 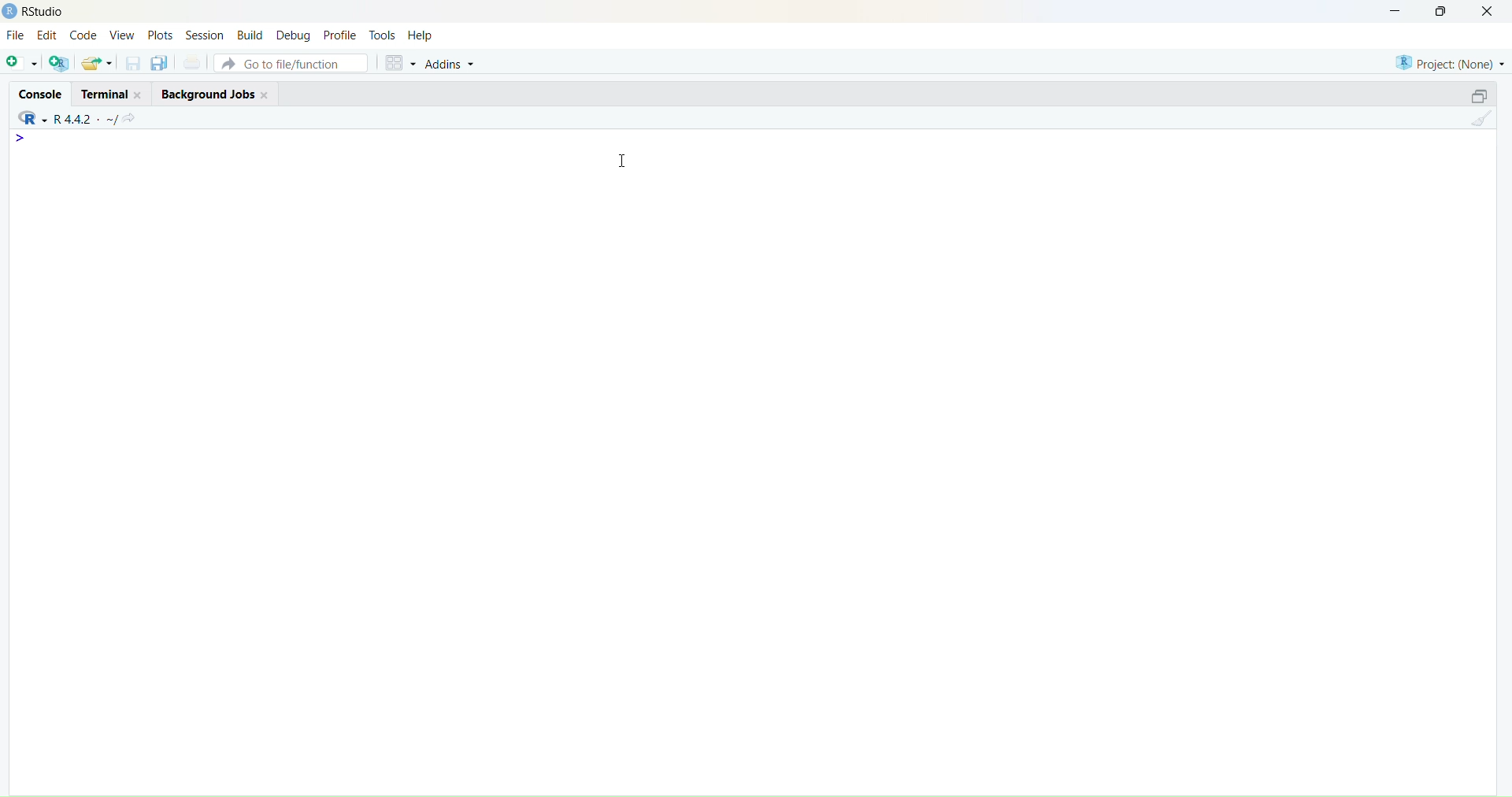 I want to click on Tools, so click(x=383, y=32).